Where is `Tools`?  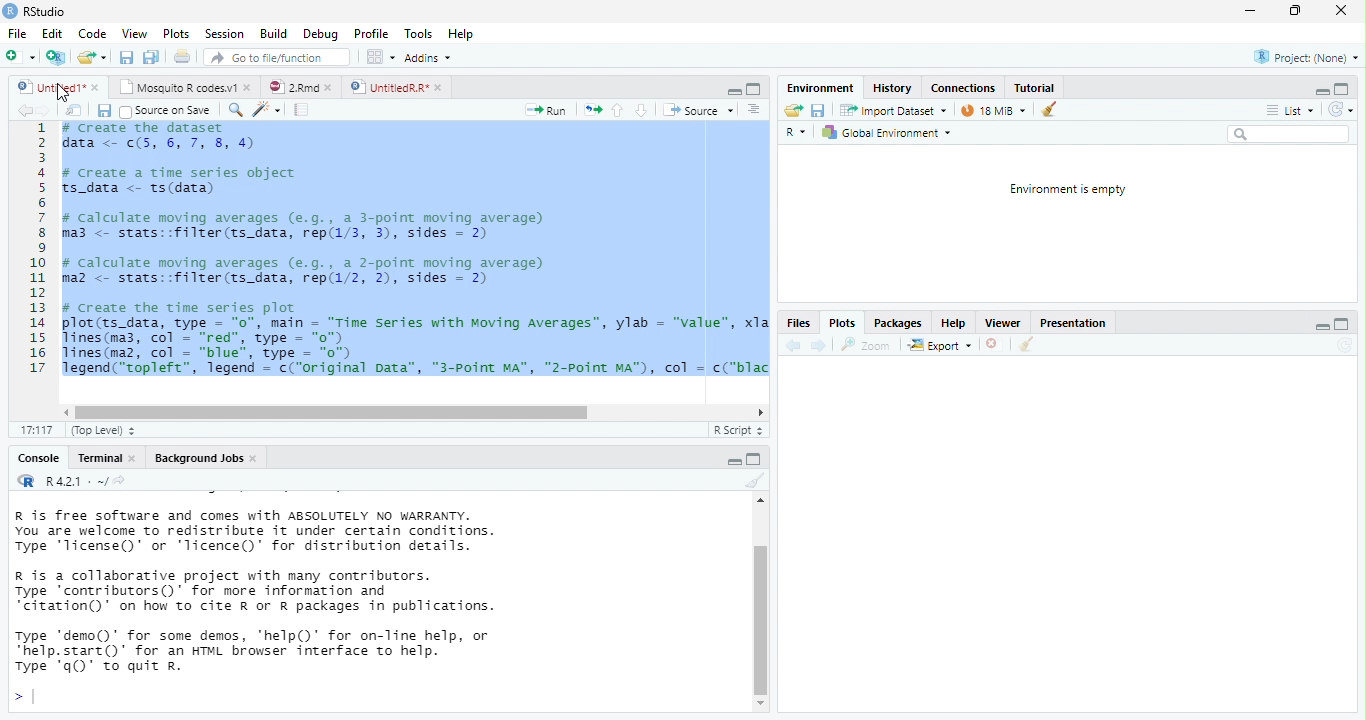
Tools is located at coordinates (419, 33).